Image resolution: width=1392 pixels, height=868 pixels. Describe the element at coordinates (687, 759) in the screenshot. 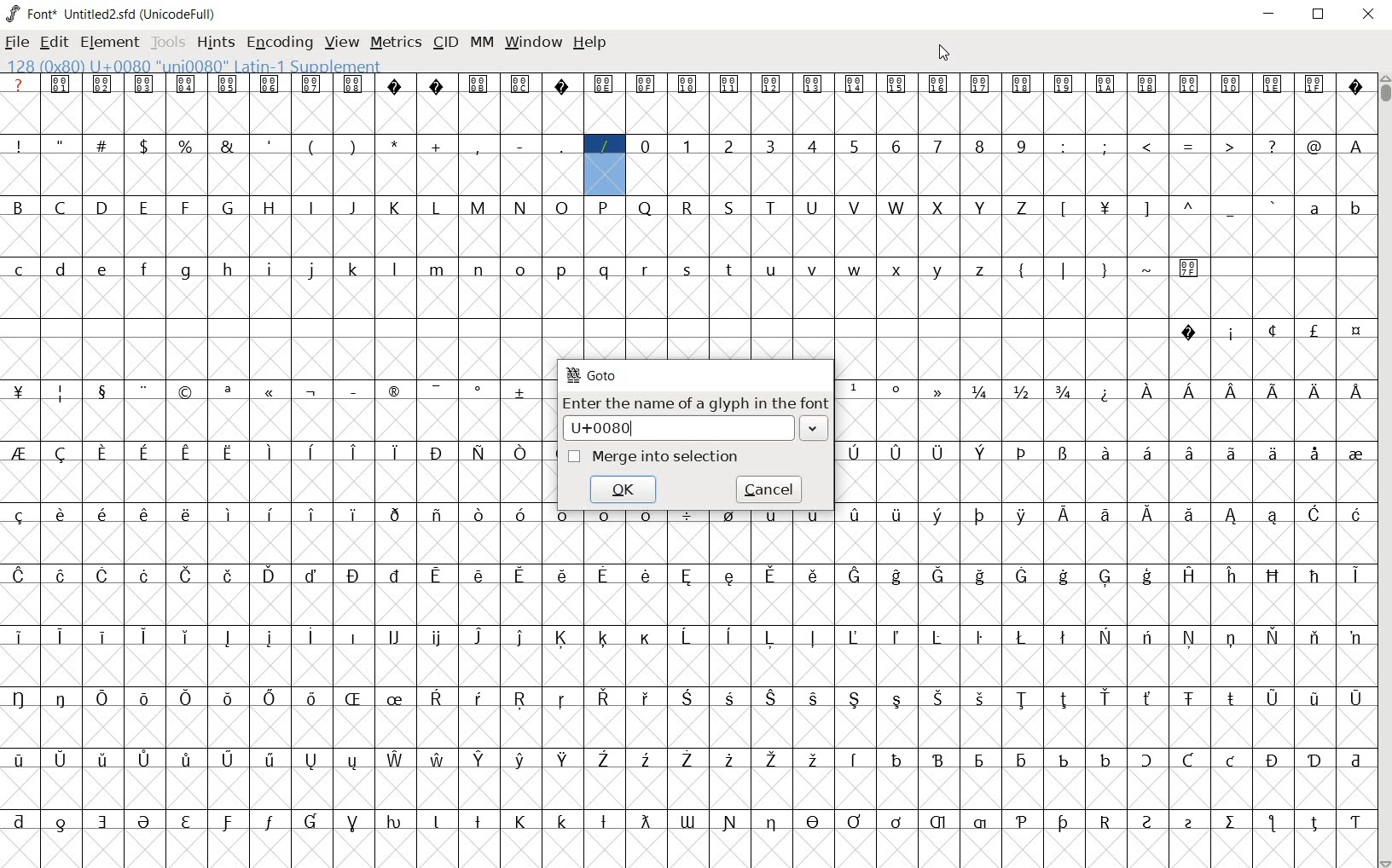

I see `glyph` at that location.